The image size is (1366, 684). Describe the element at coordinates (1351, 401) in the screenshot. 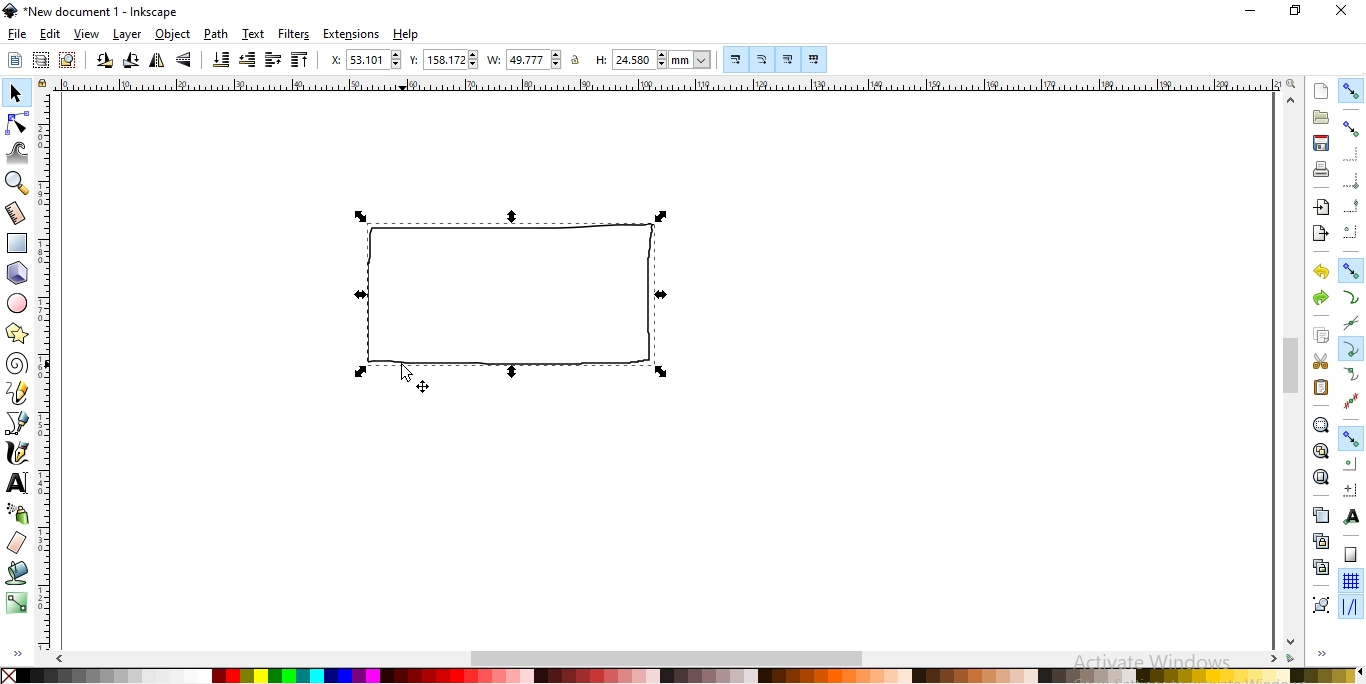

I see `` at that location.